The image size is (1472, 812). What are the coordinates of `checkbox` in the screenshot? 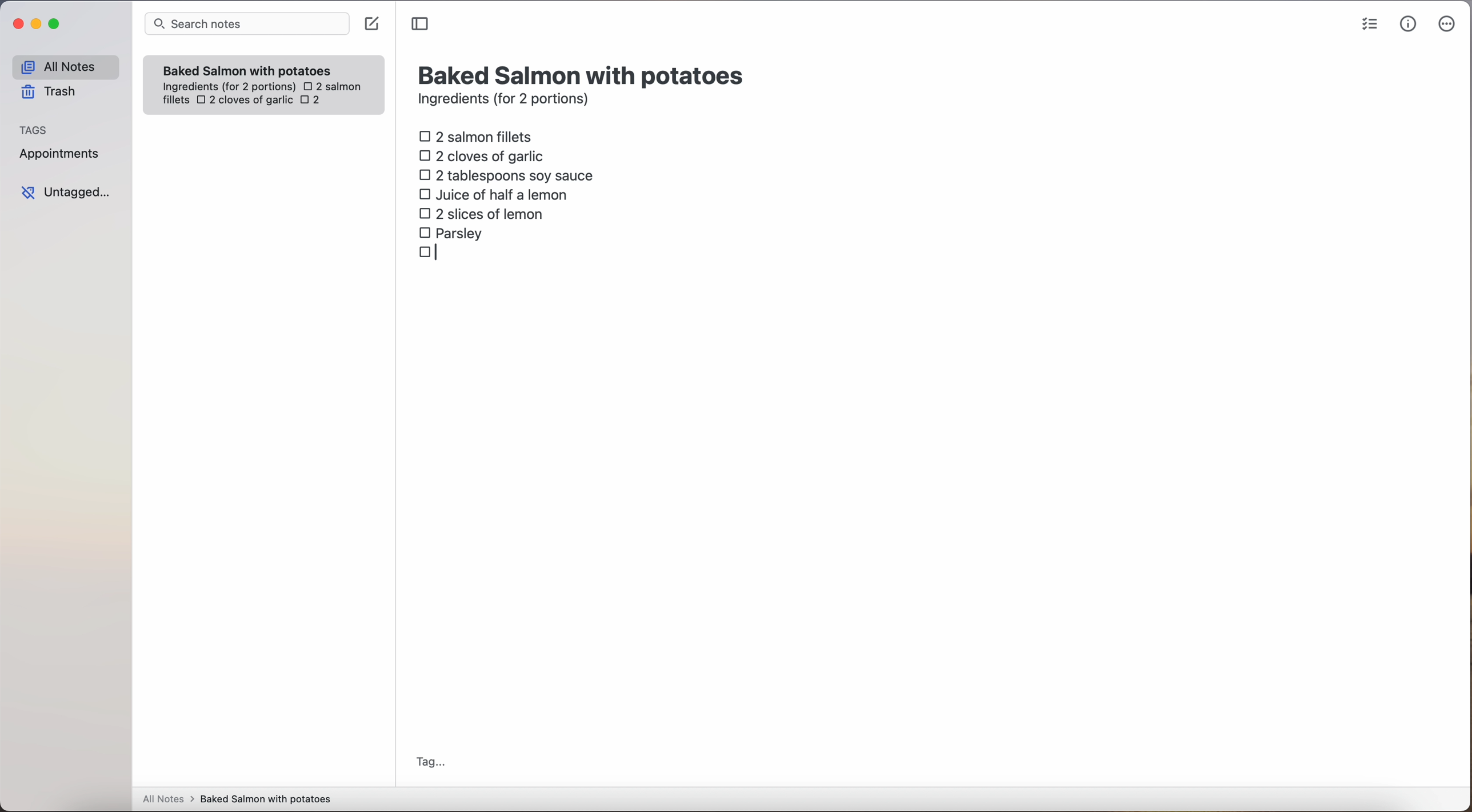 It's located at (433, 254).